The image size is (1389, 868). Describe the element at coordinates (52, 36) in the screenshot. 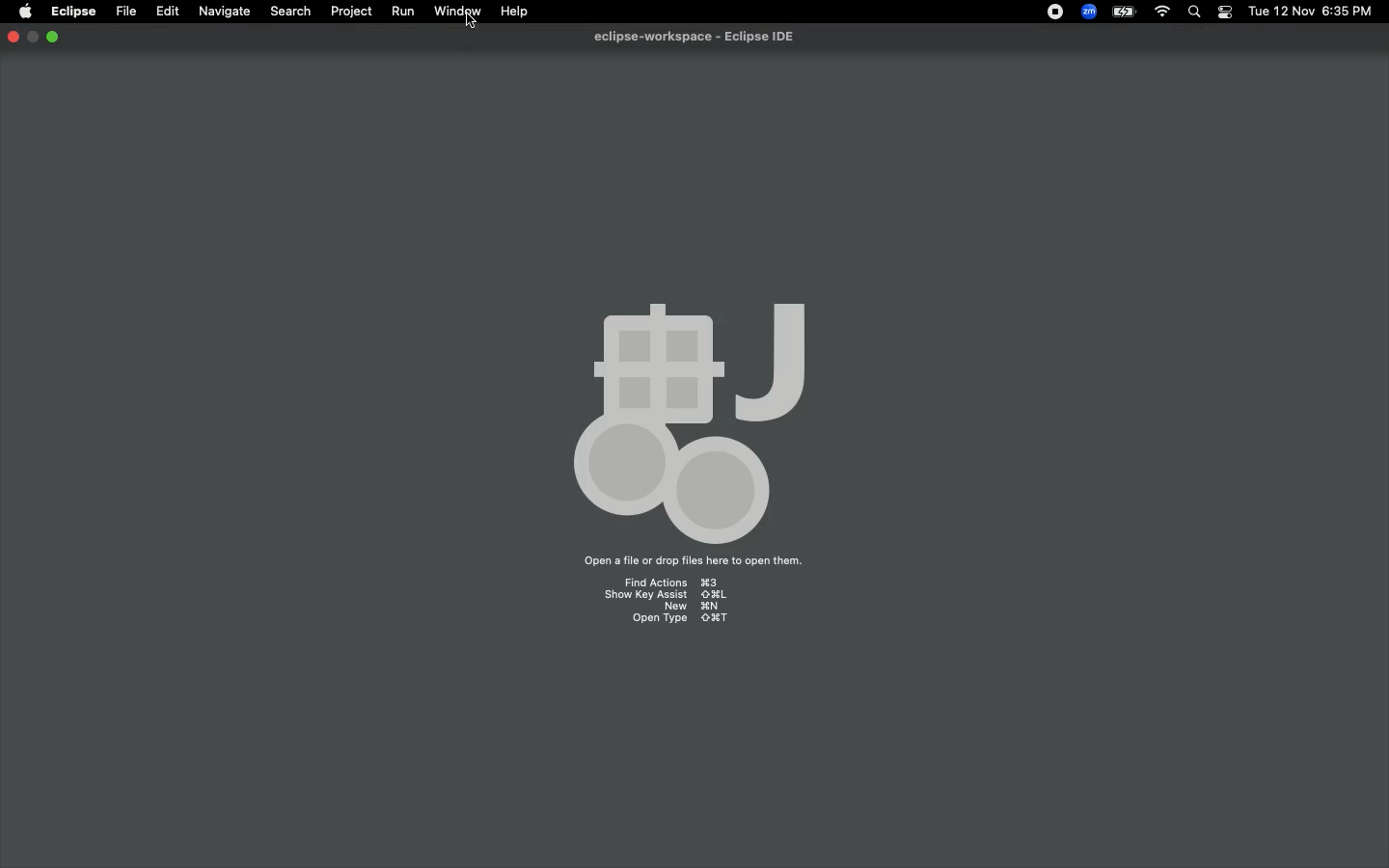

I see `Minimize` at that location.